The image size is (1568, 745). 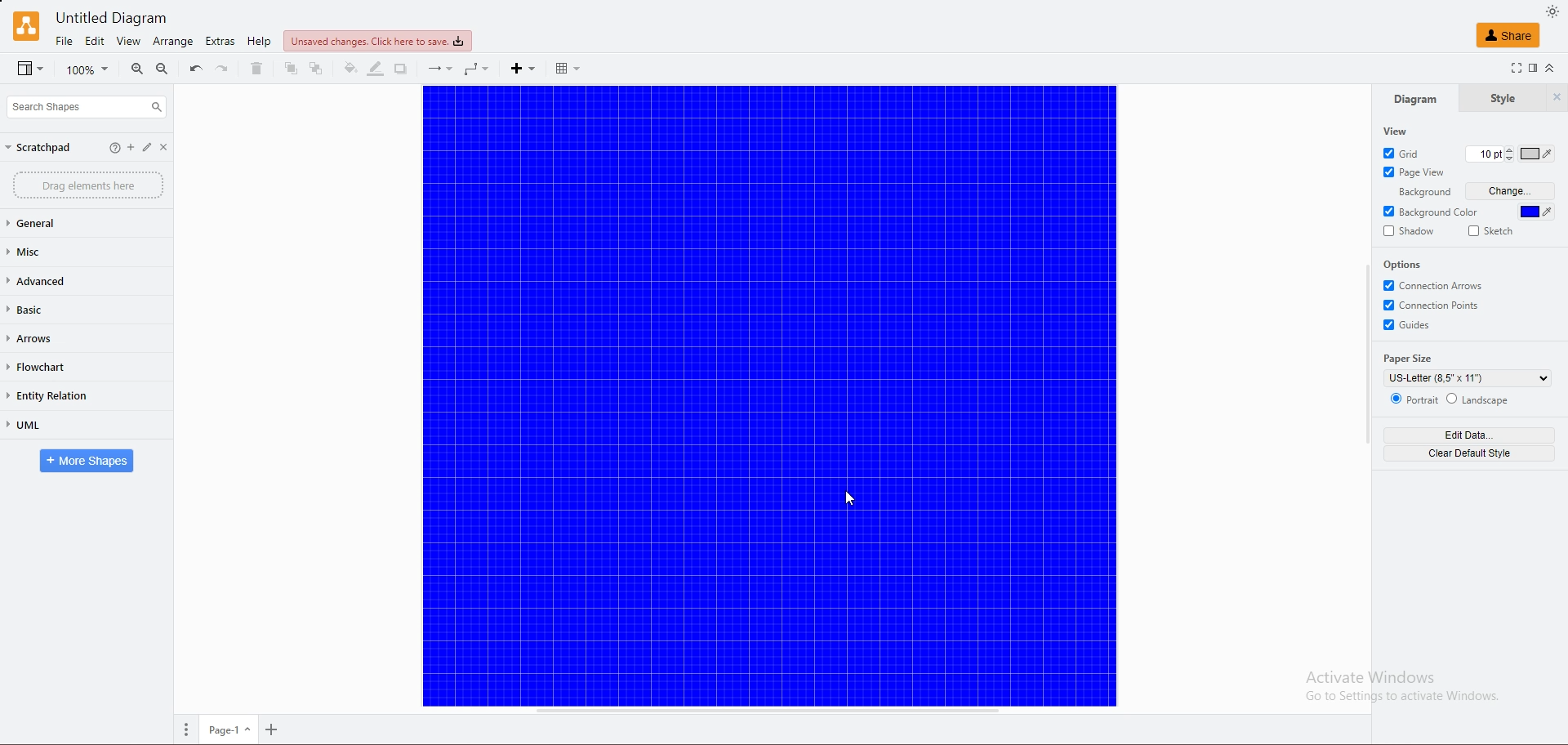 What do you see at coordinates (1508, 34) in the screenshot?
I see `share` at bounding box center [1508, 34].